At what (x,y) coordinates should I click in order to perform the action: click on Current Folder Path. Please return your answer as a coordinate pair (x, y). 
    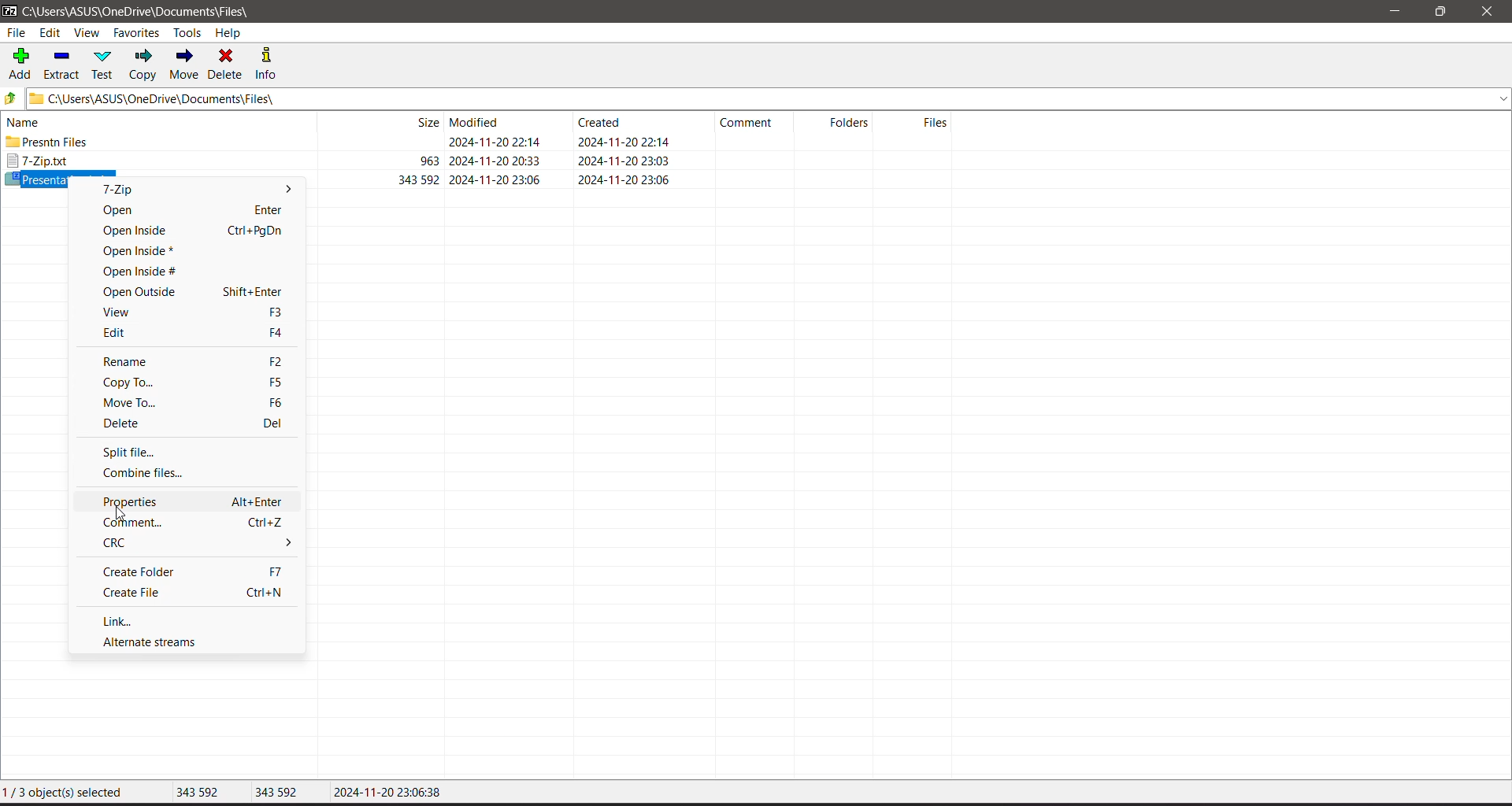
    Looking at the image, I should click on (148, 12).